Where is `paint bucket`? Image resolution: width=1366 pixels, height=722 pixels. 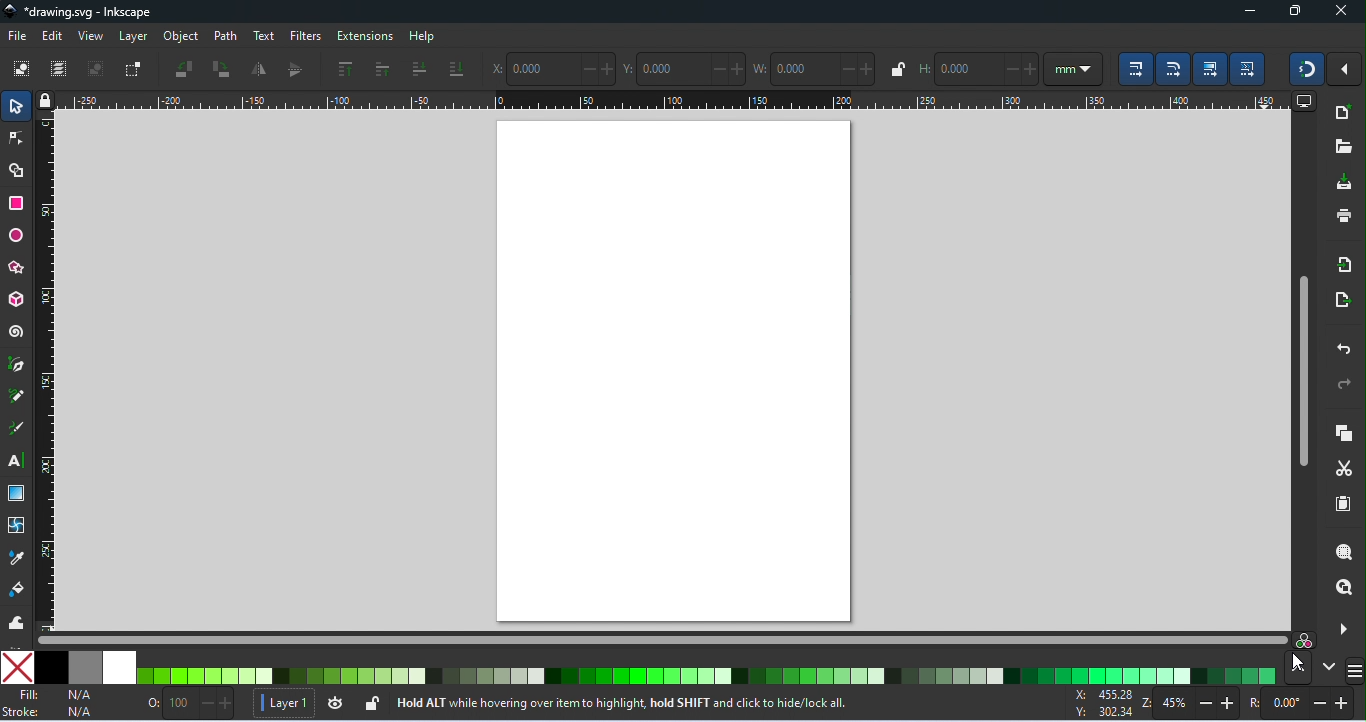 paint bucket is located at coordinates (20, 590).